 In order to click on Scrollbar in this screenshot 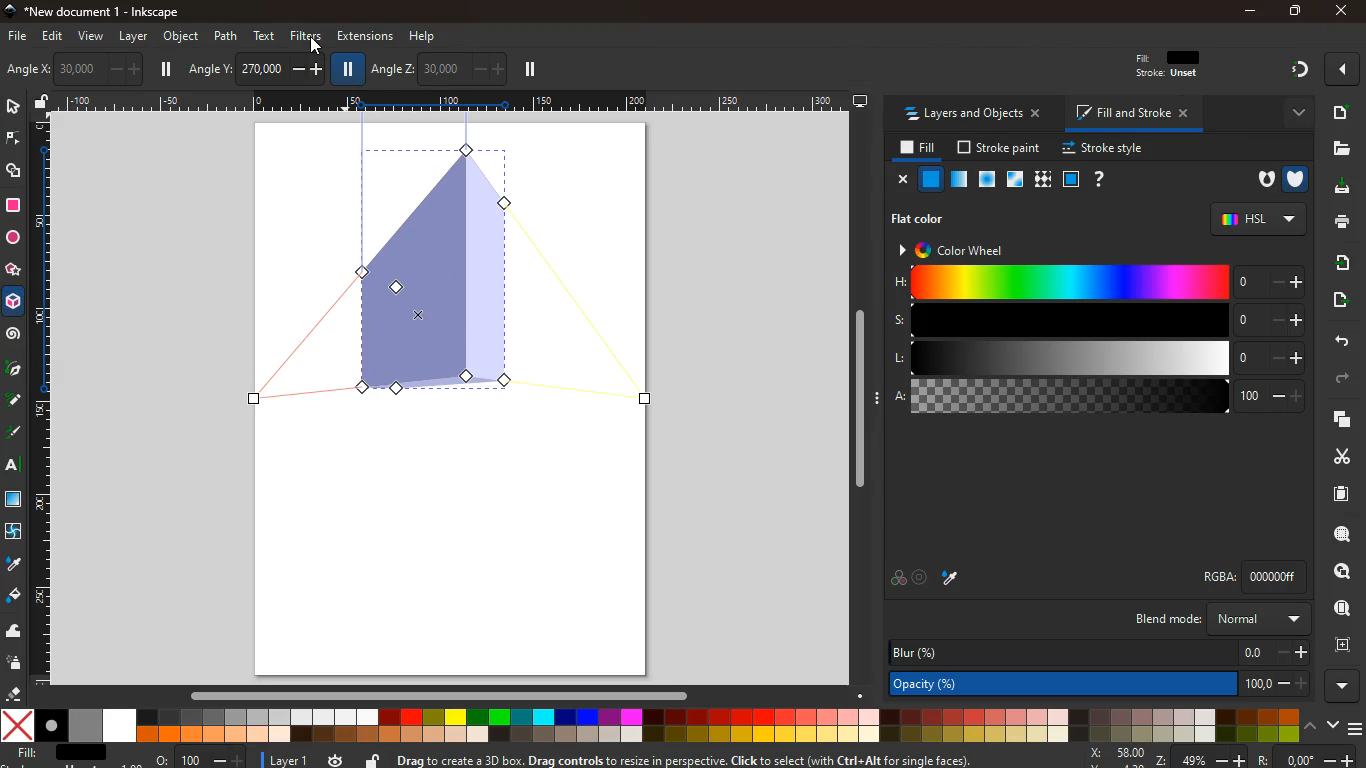, I will do `click(859, 395)`.